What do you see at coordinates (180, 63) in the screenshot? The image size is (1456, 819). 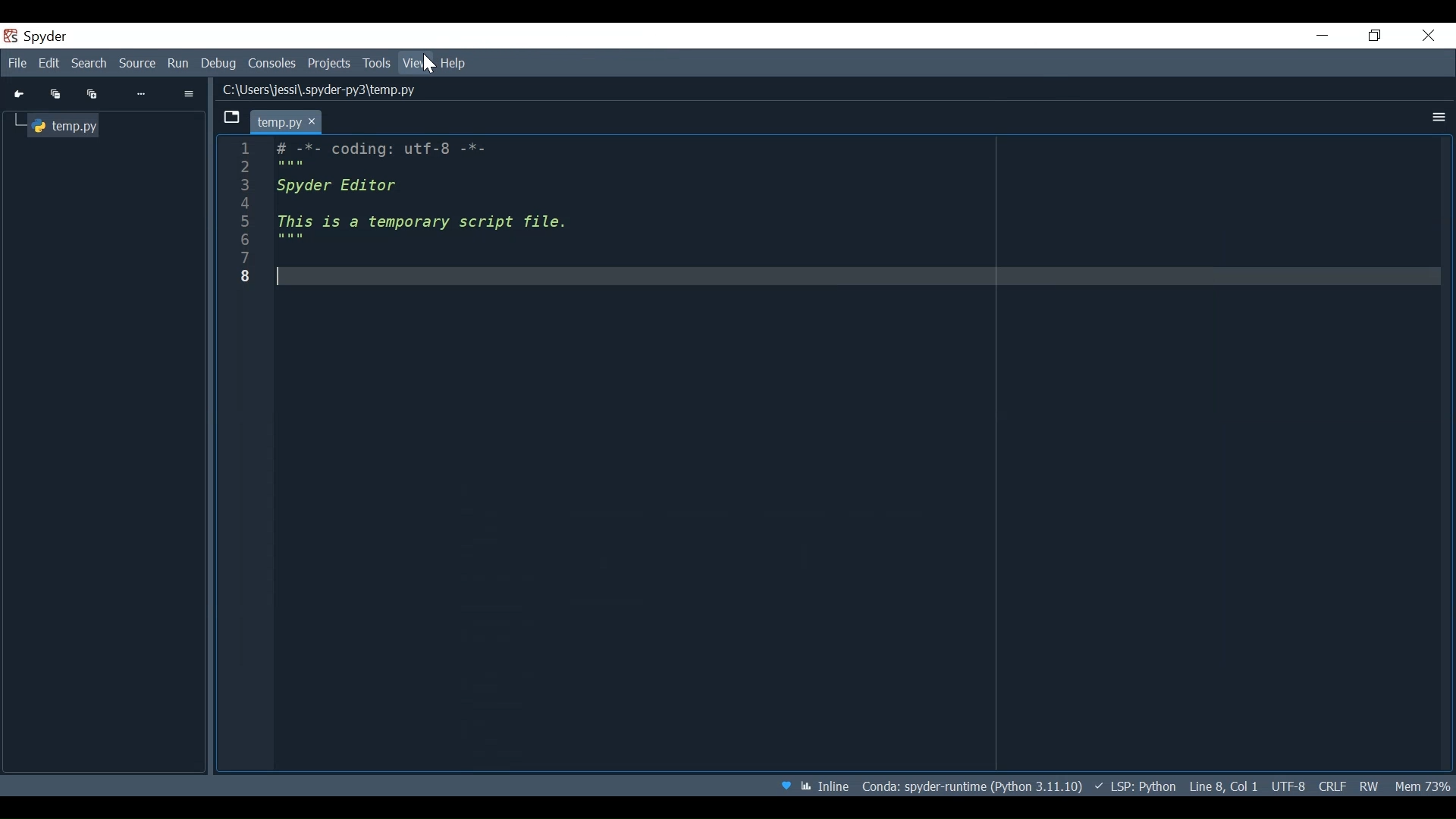 I see `Run` at bounding box center [180, 63].